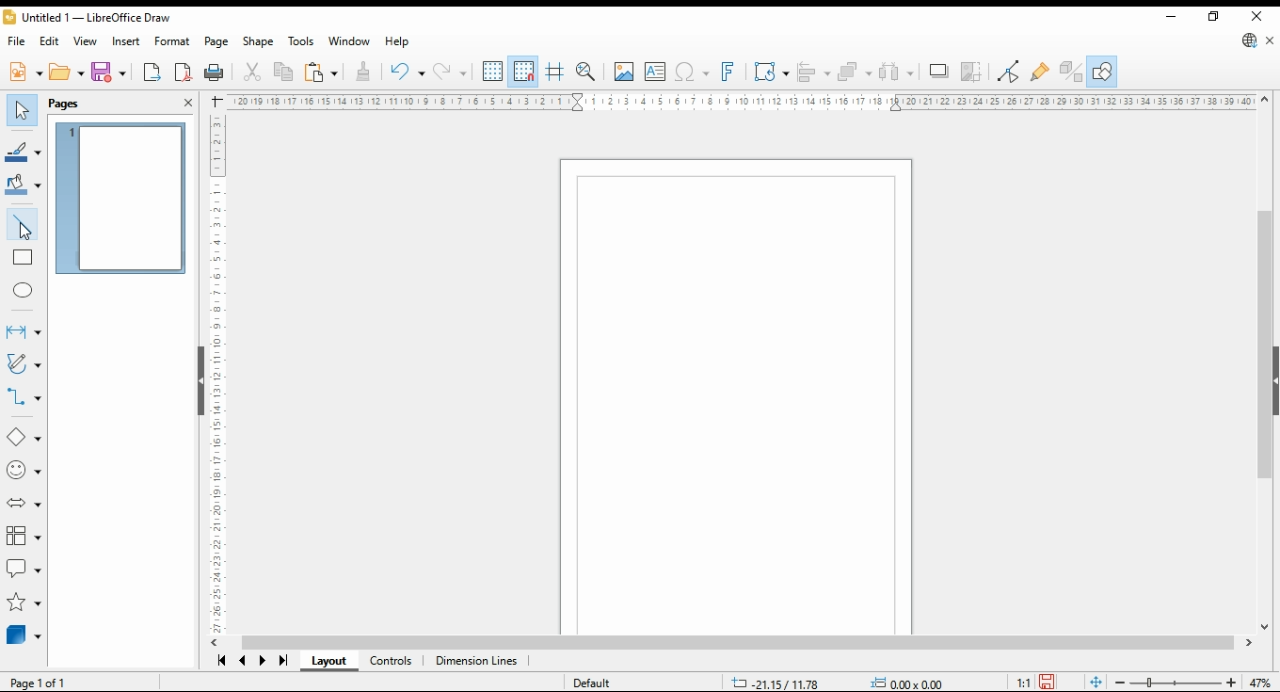  Describe the element at coordinates (82, 102) in the screenshot. I see `pages` at that location.